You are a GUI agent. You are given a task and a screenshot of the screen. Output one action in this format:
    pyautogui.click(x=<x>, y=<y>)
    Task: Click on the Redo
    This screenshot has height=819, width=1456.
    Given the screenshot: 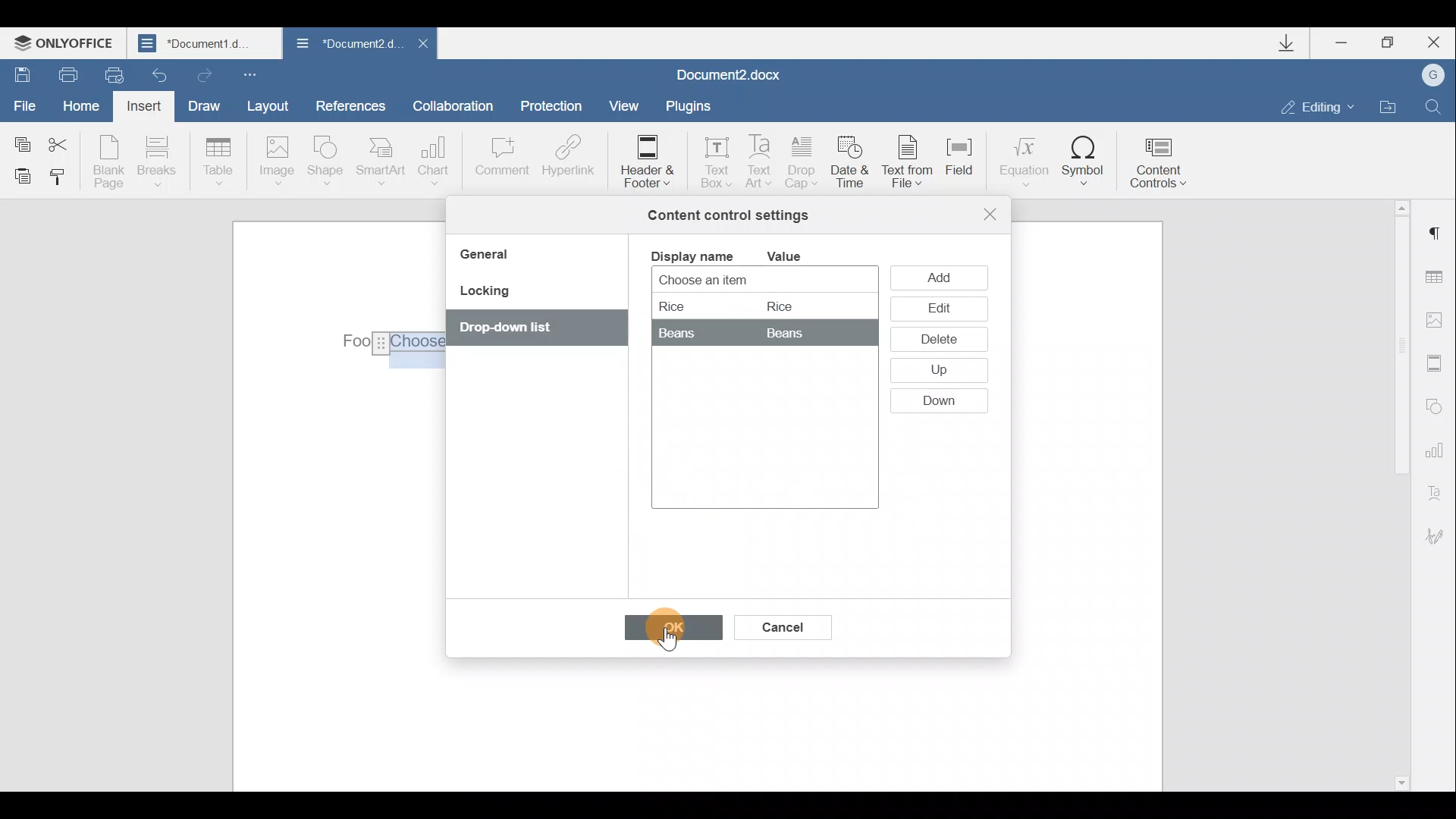 What is the action you would take?
    pyautogui.click(x=202, y=72)
    